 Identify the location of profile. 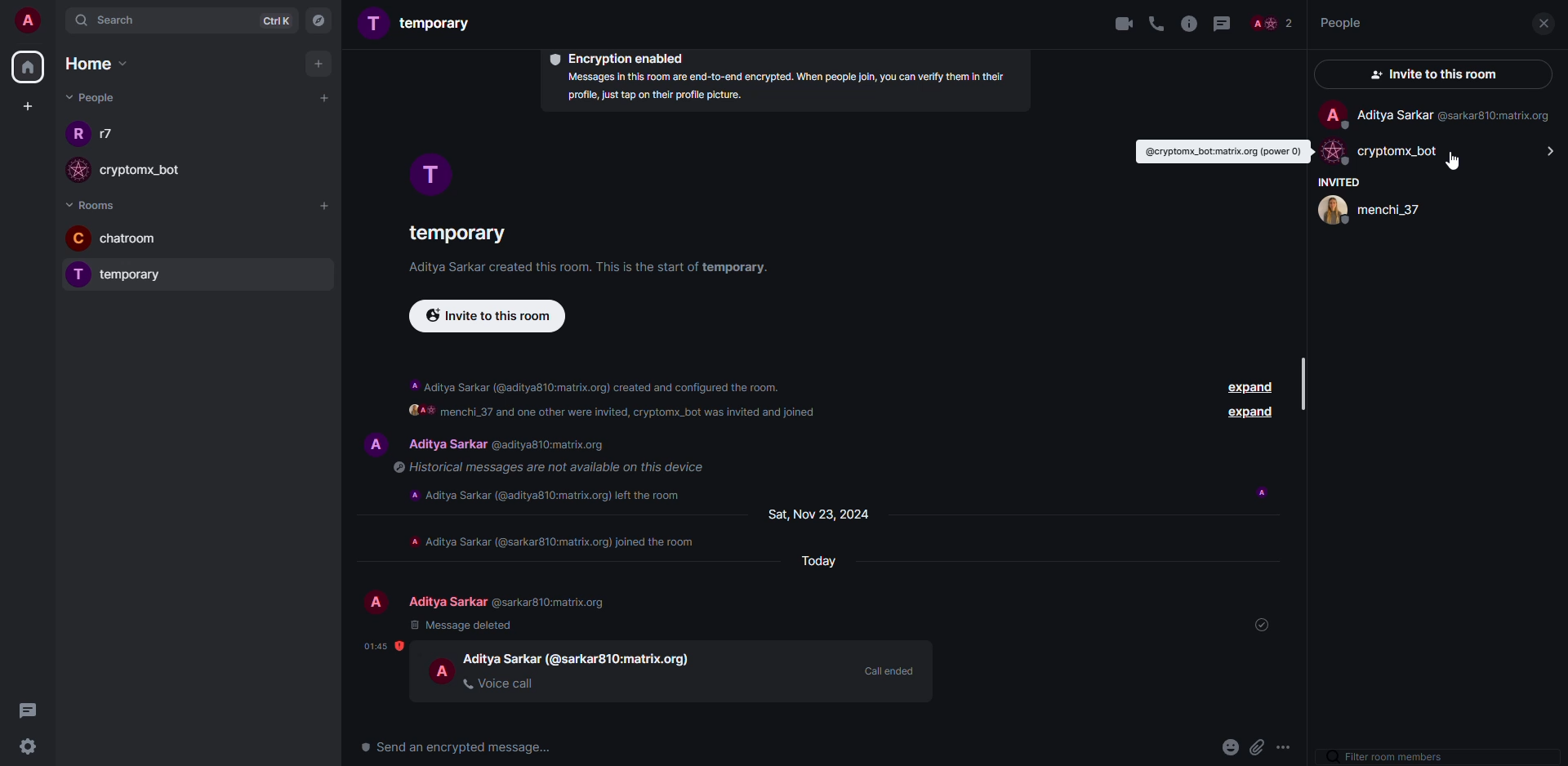
(75, 274).